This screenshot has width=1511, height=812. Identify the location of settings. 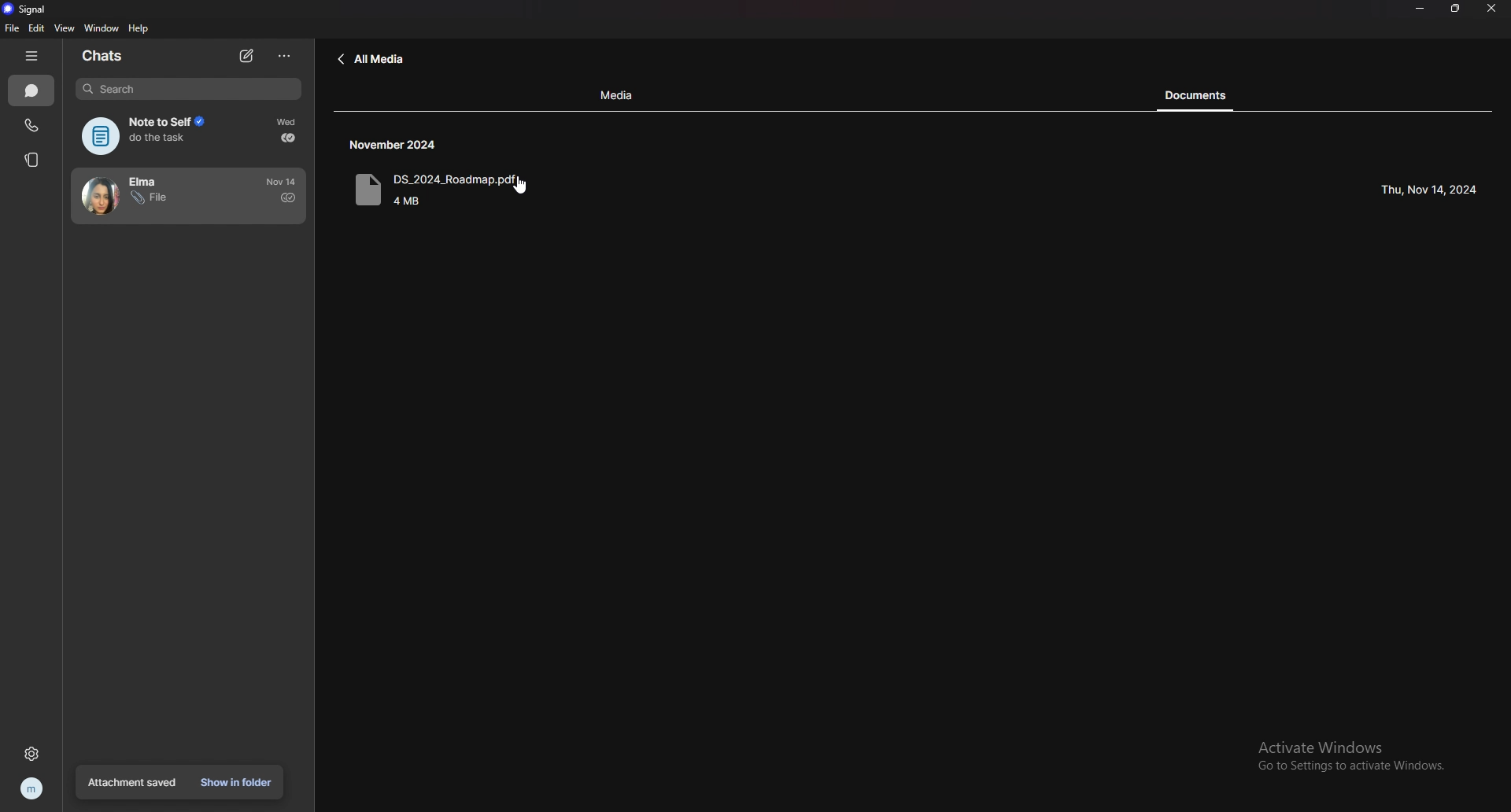
(31, 752).